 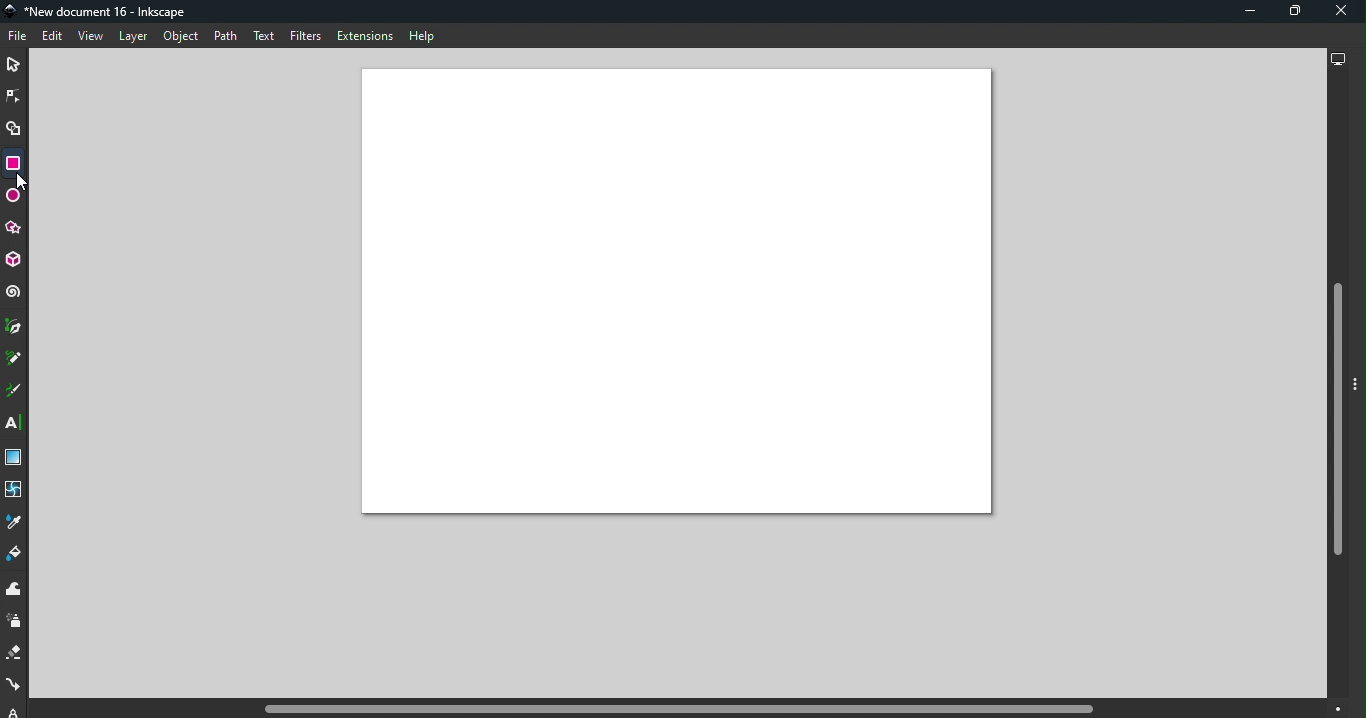 What do you see at coordinates (133, 38) in the screenshot?
I see `Layer` at bounding box center [133, 38].